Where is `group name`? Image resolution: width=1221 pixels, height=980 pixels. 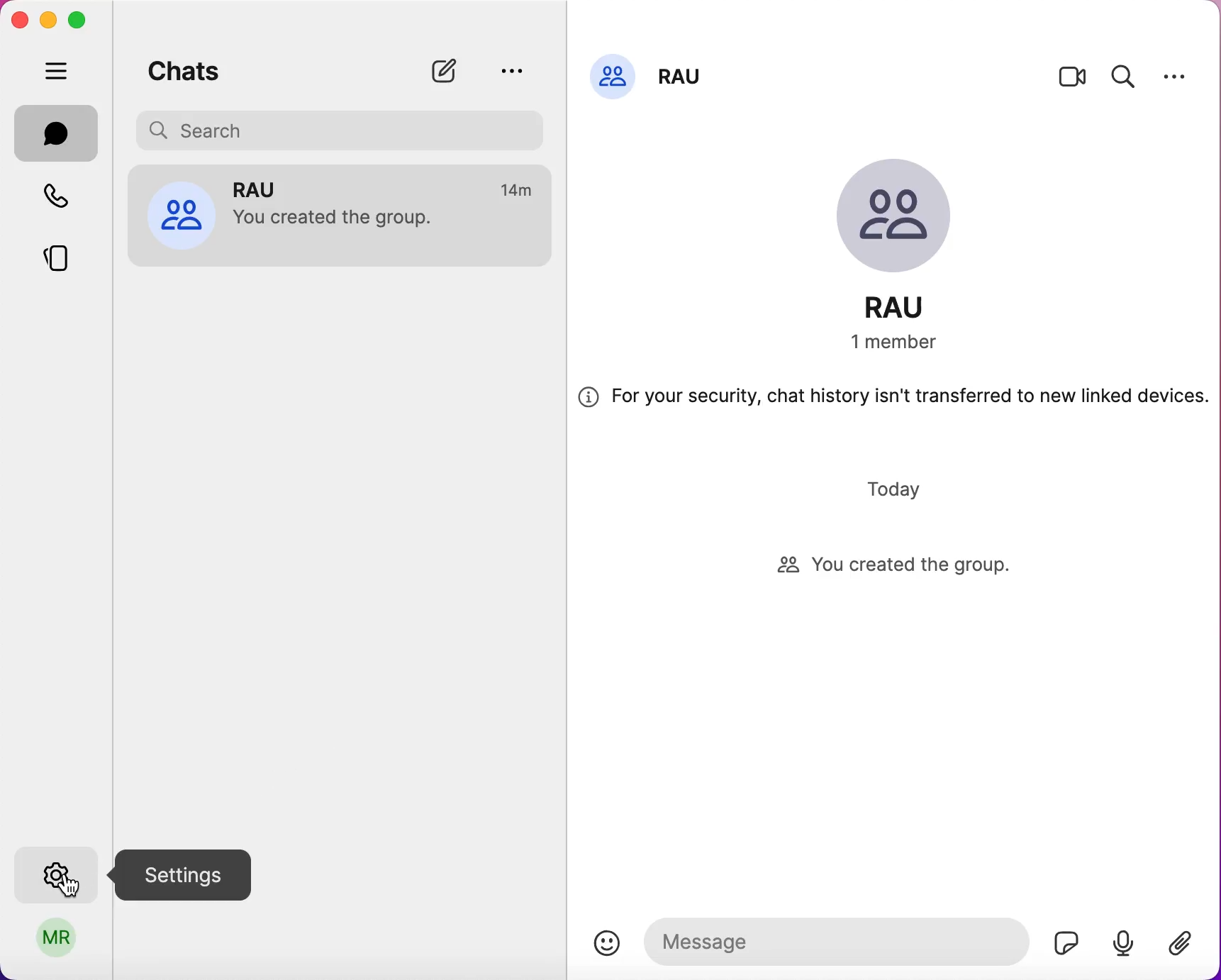
group name is located at coordinates (684, 79).